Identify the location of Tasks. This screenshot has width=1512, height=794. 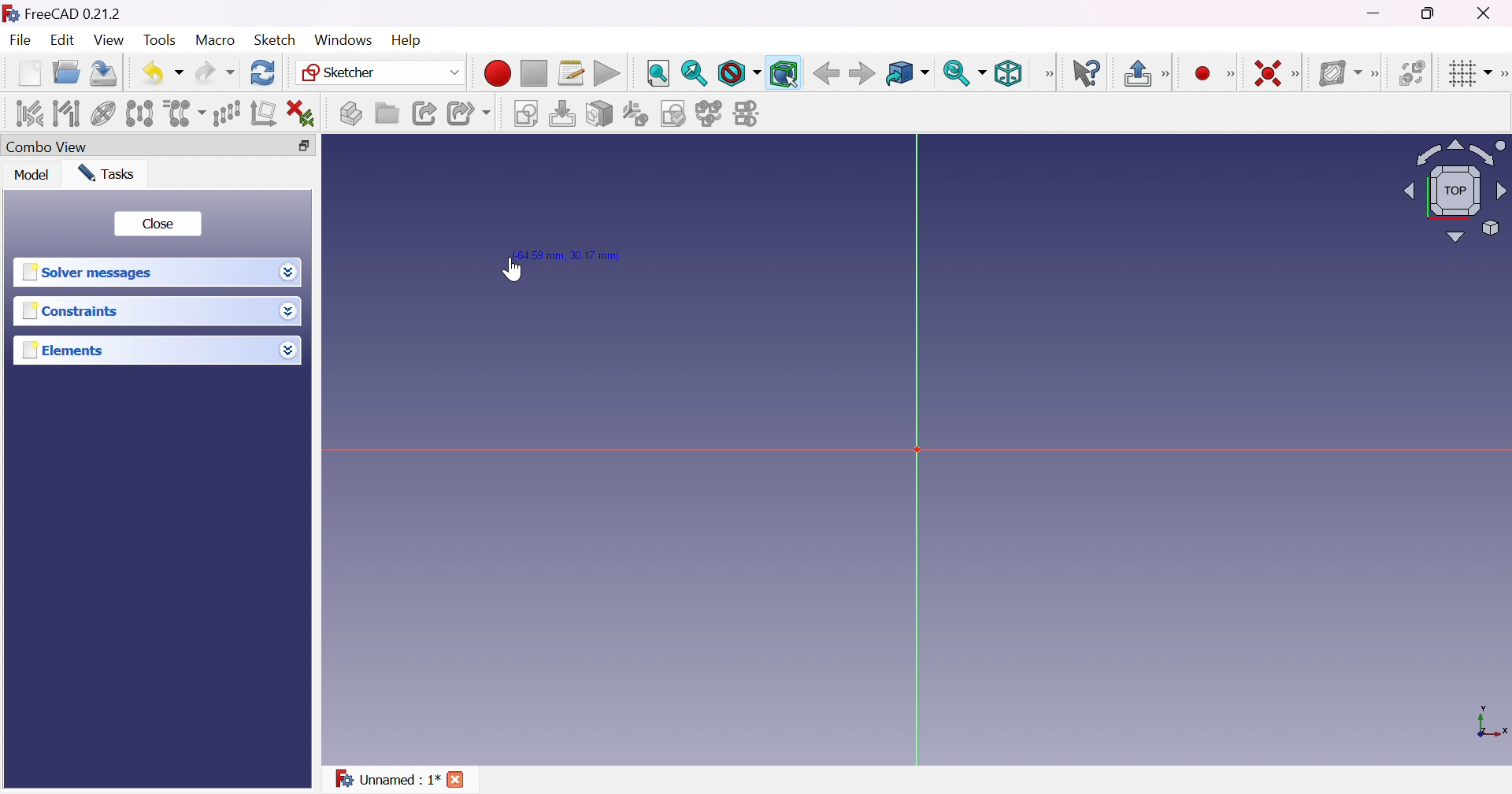
(106, 173).